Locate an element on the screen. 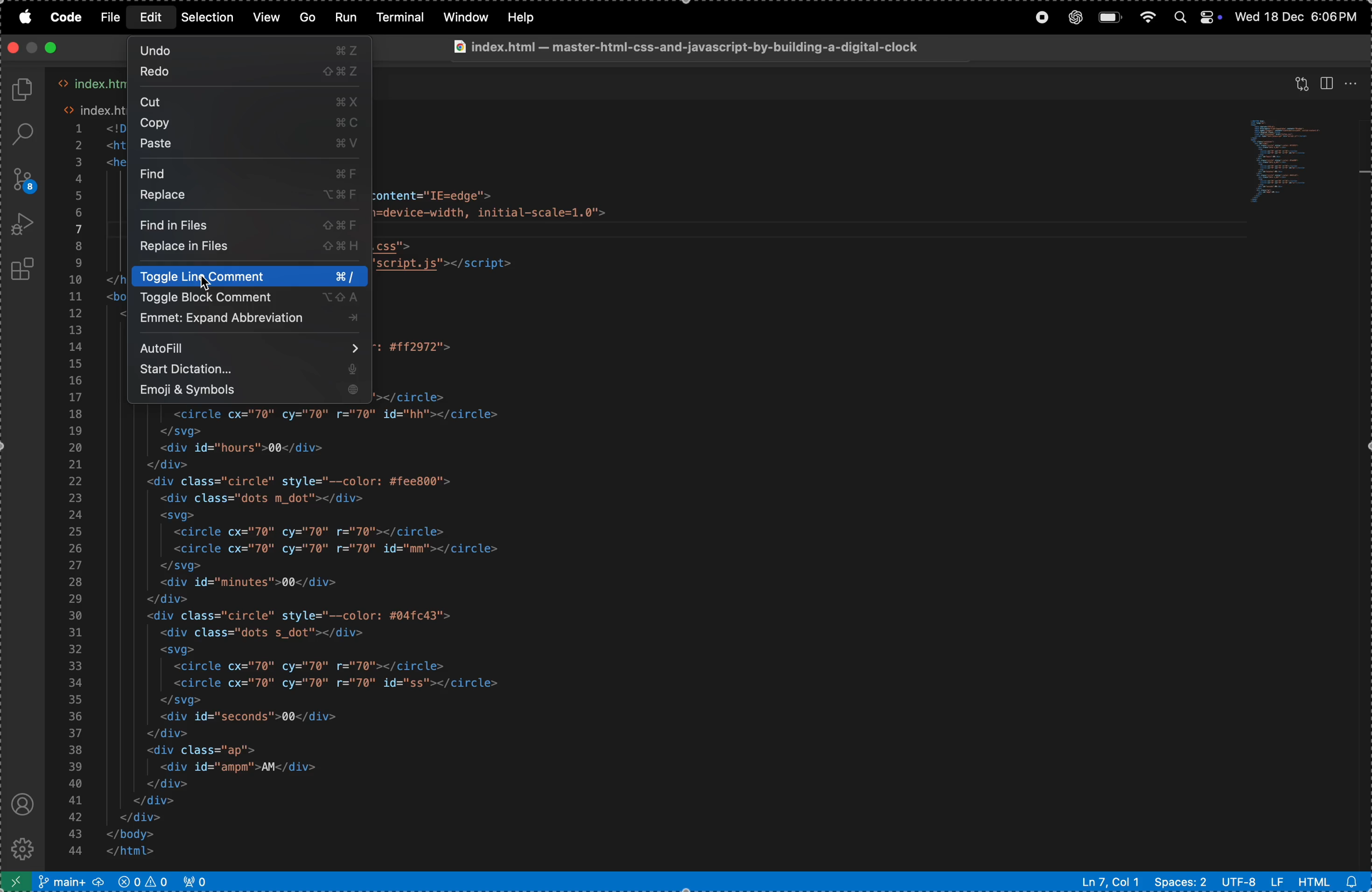 The height and width of the screenshot is (892, 1372). no problem is located at coordinates (142, 880).